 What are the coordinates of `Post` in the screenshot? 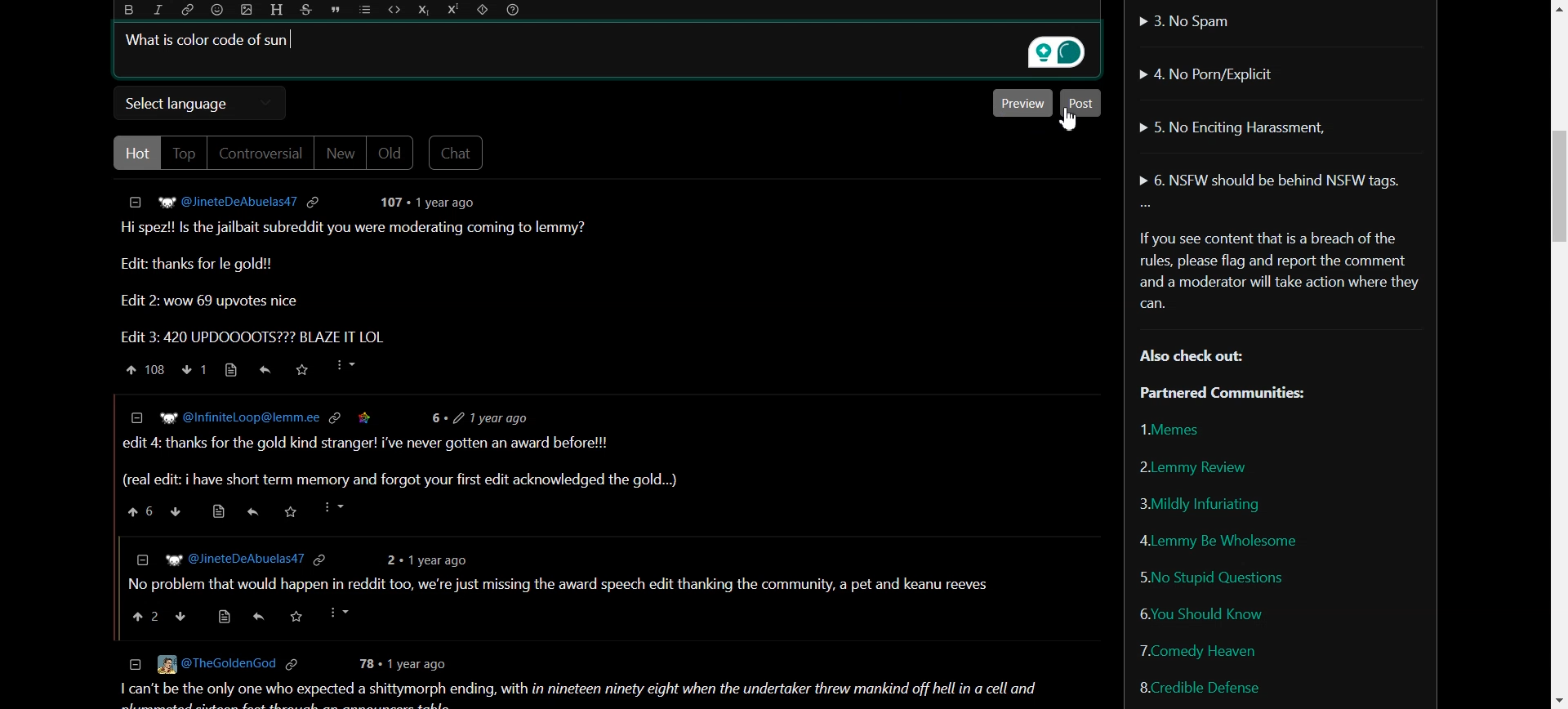 It's located at (590, 445).